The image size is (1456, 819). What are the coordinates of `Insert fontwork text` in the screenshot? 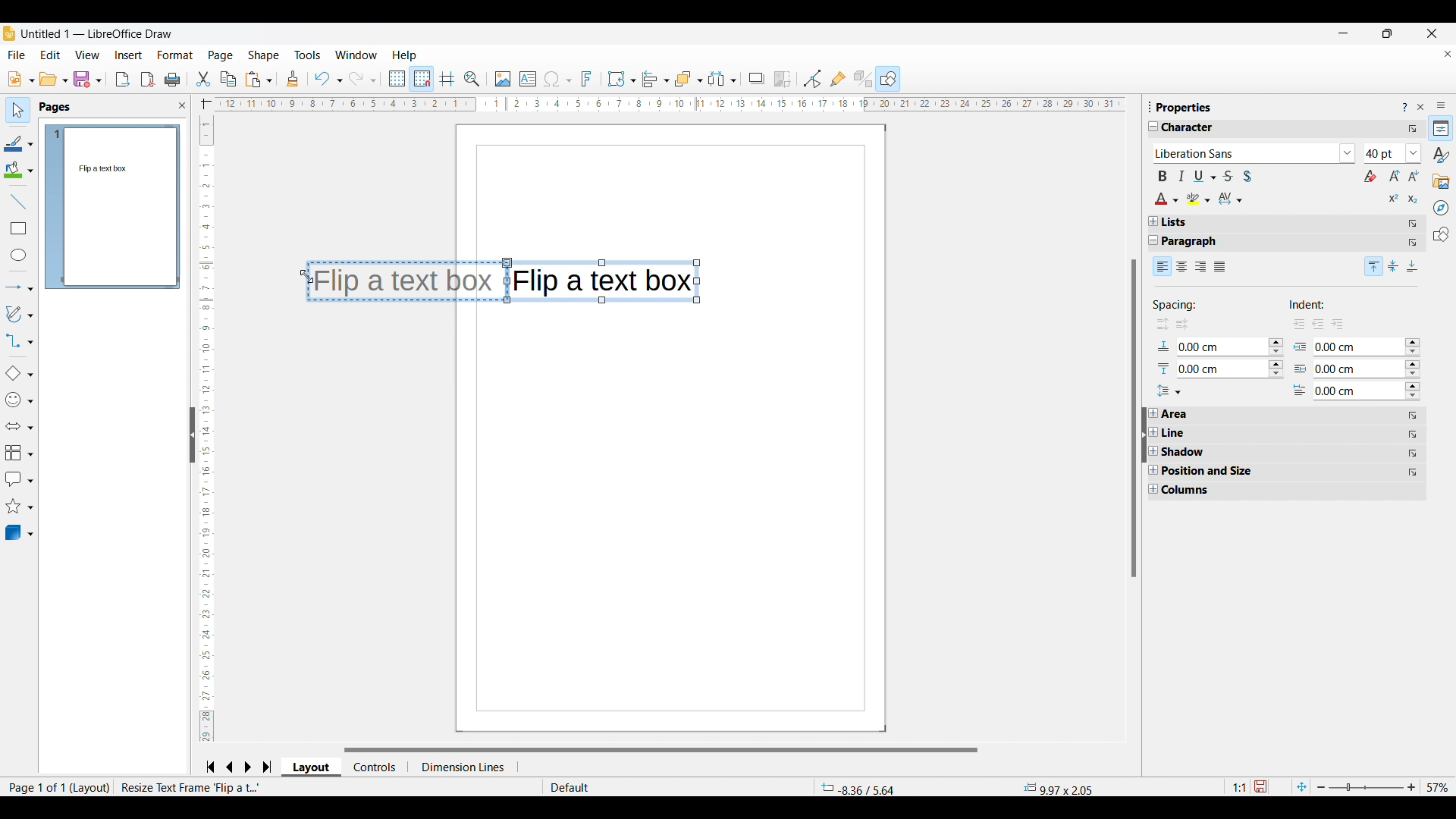 It's located at (587, 79).